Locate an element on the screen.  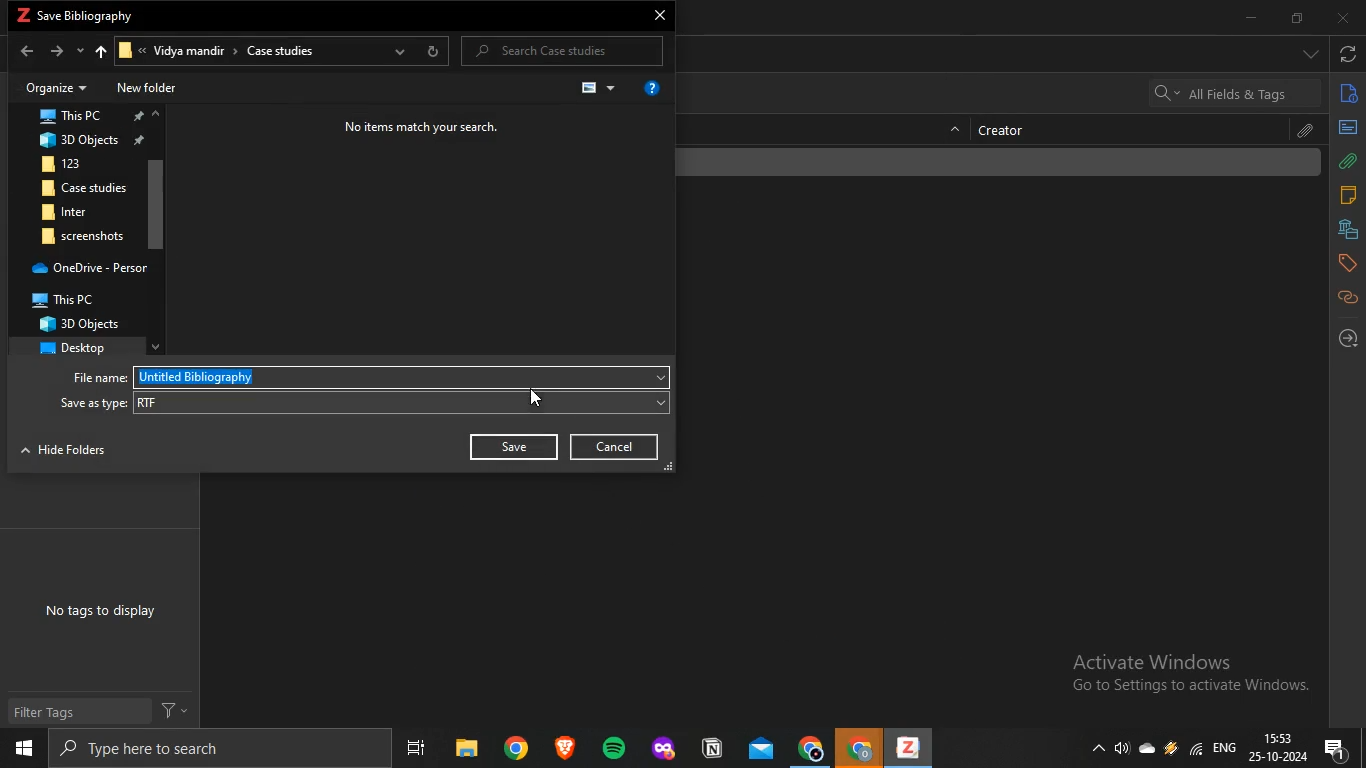
‘Save as type: is located at coordinates (82, 406).